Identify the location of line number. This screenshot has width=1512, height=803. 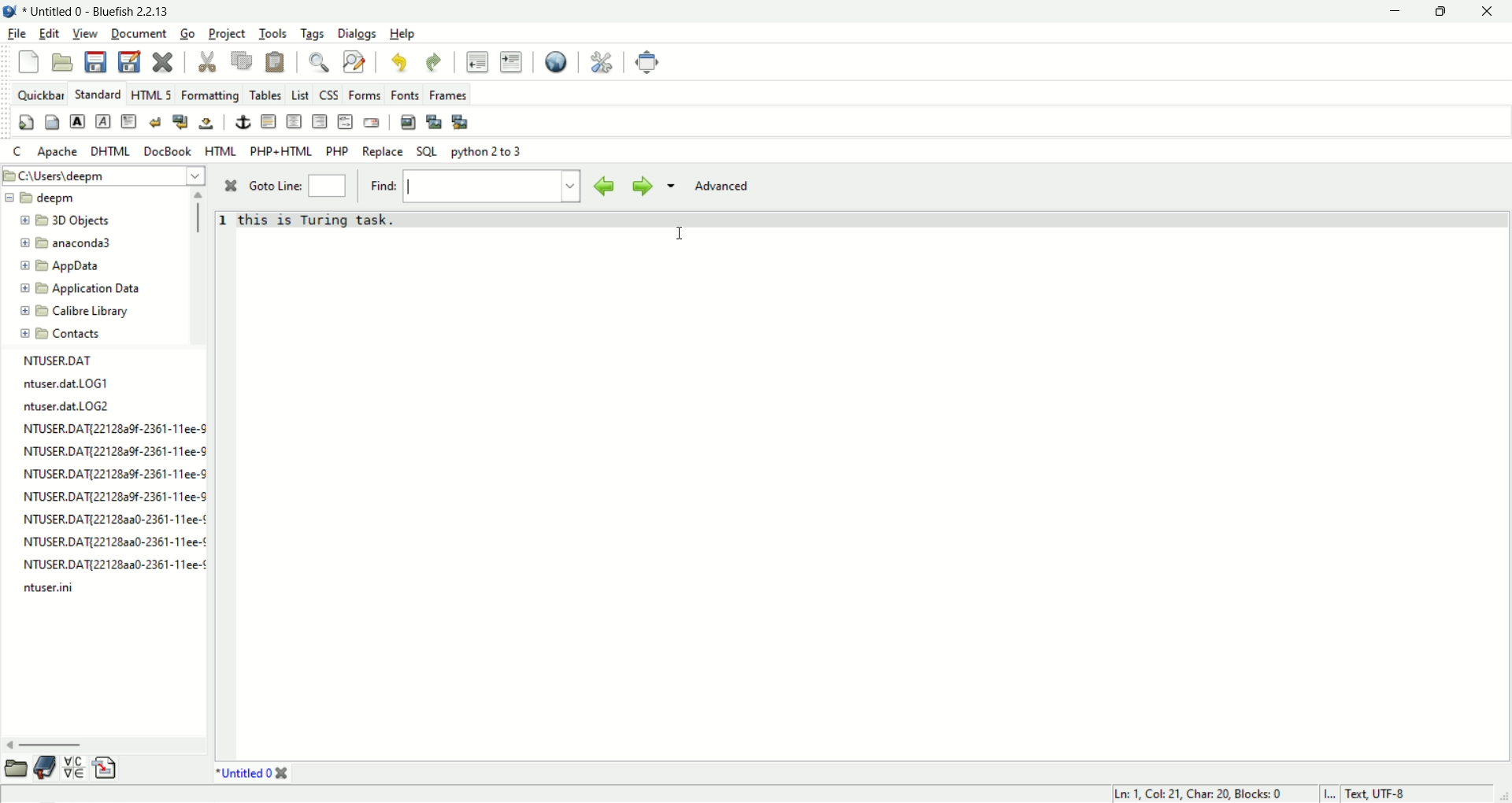
(225, 225).